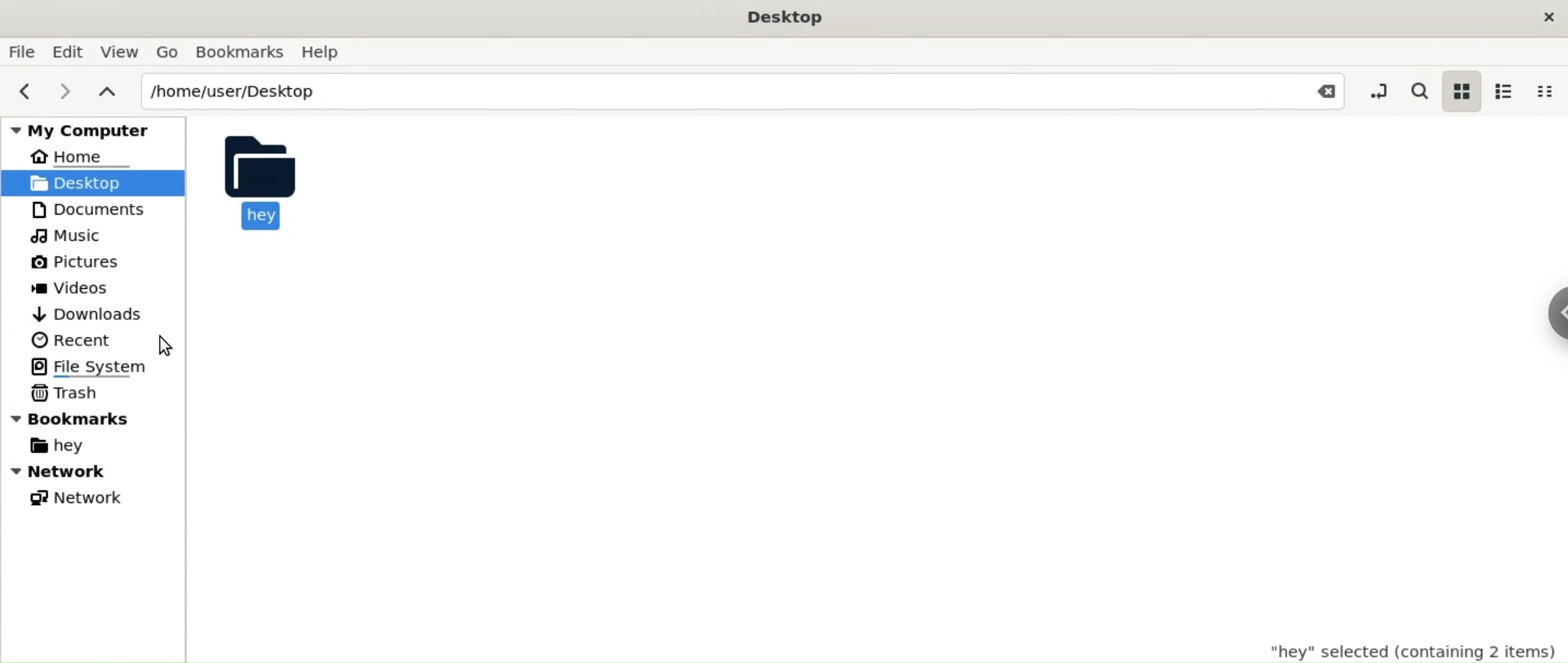 The height and width of the screenshot is (663, 1568). What do you see at coordinates (1550, 315) in the screenshot?
I see `Sidebar` at bounding box center [1550, 315].